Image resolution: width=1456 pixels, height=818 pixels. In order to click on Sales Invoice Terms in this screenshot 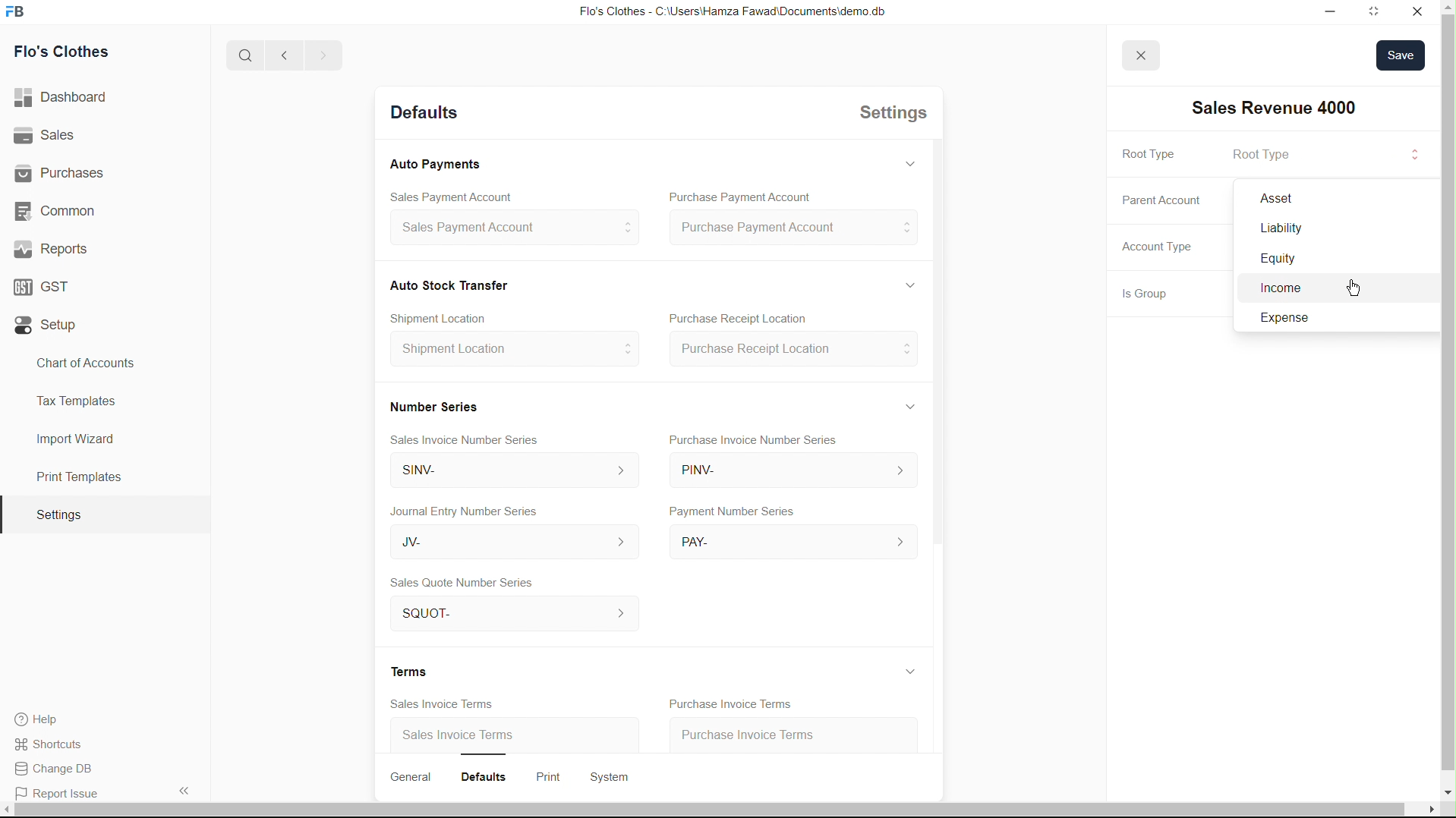, I will do `click(468, 737)`.